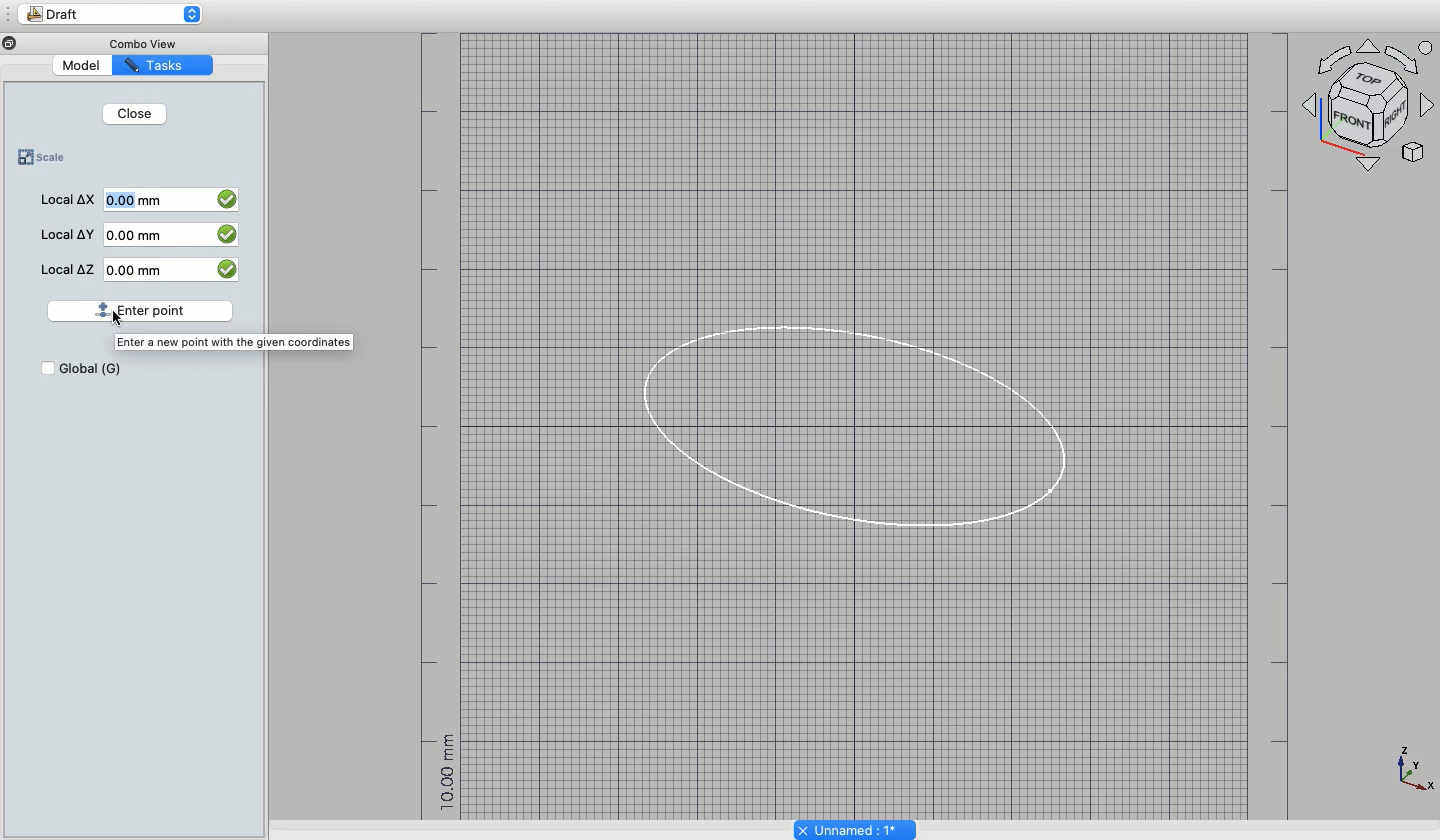 This screenshot has height=840, width=1440. I want to click on 0.00 mm, so click(170, 234).